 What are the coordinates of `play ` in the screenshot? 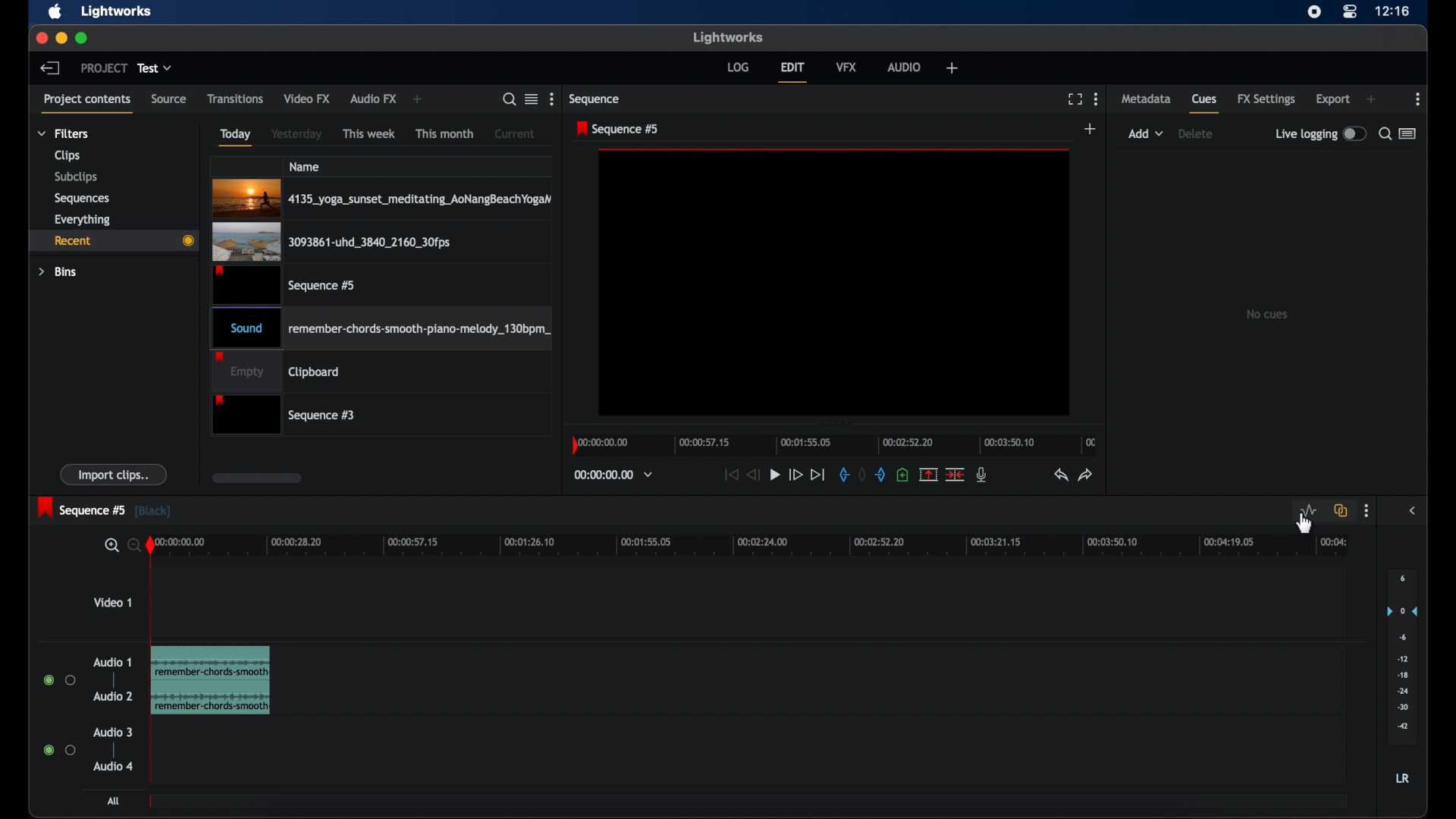 It's located at (775, 475).